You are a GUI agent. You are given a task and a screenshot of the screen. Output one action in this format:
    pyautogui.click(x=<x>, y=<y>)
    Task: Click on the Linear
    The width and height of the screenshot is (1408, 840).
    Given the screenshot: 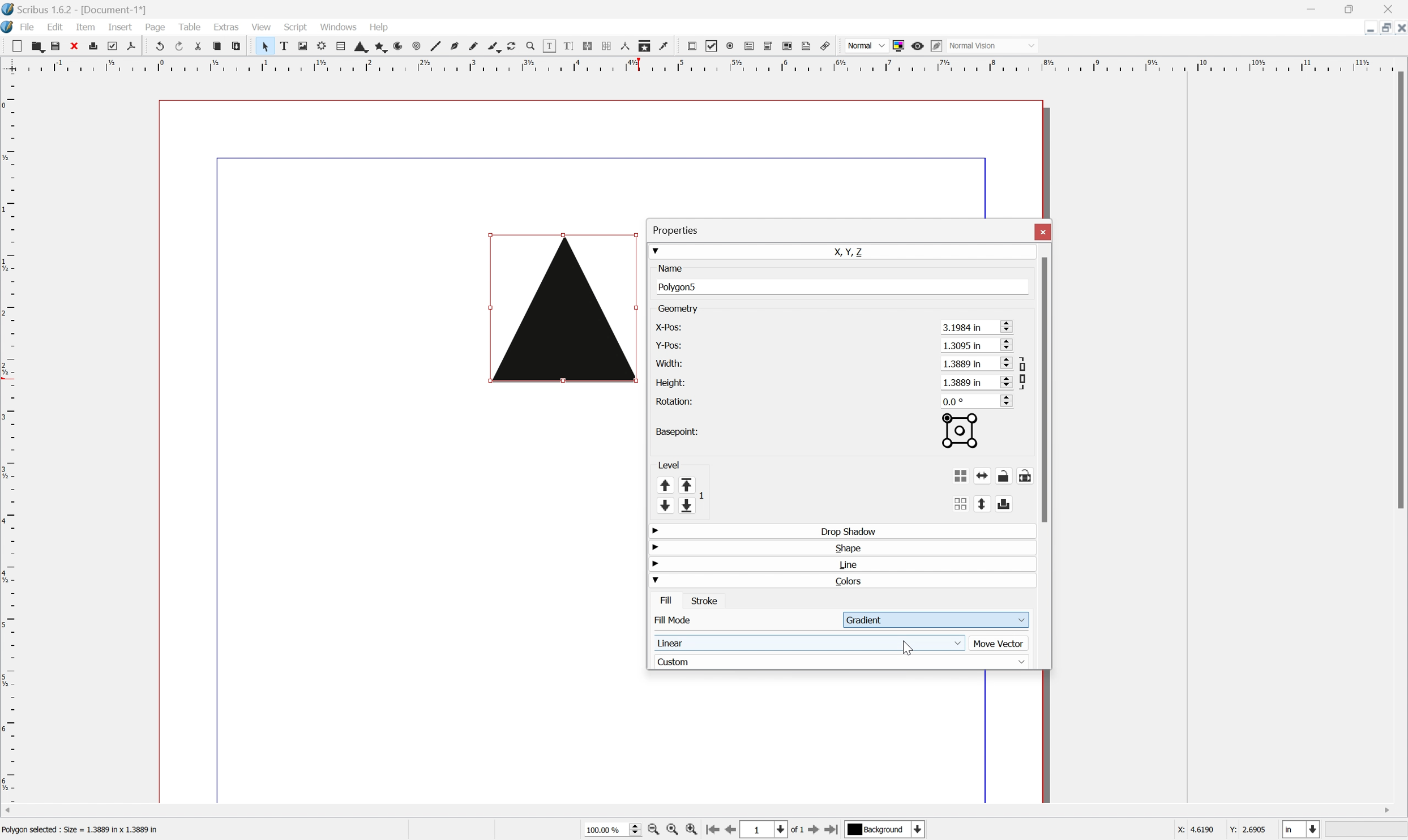 What is the action you would take?
    pyautogui.click(x=671, y=642)
    